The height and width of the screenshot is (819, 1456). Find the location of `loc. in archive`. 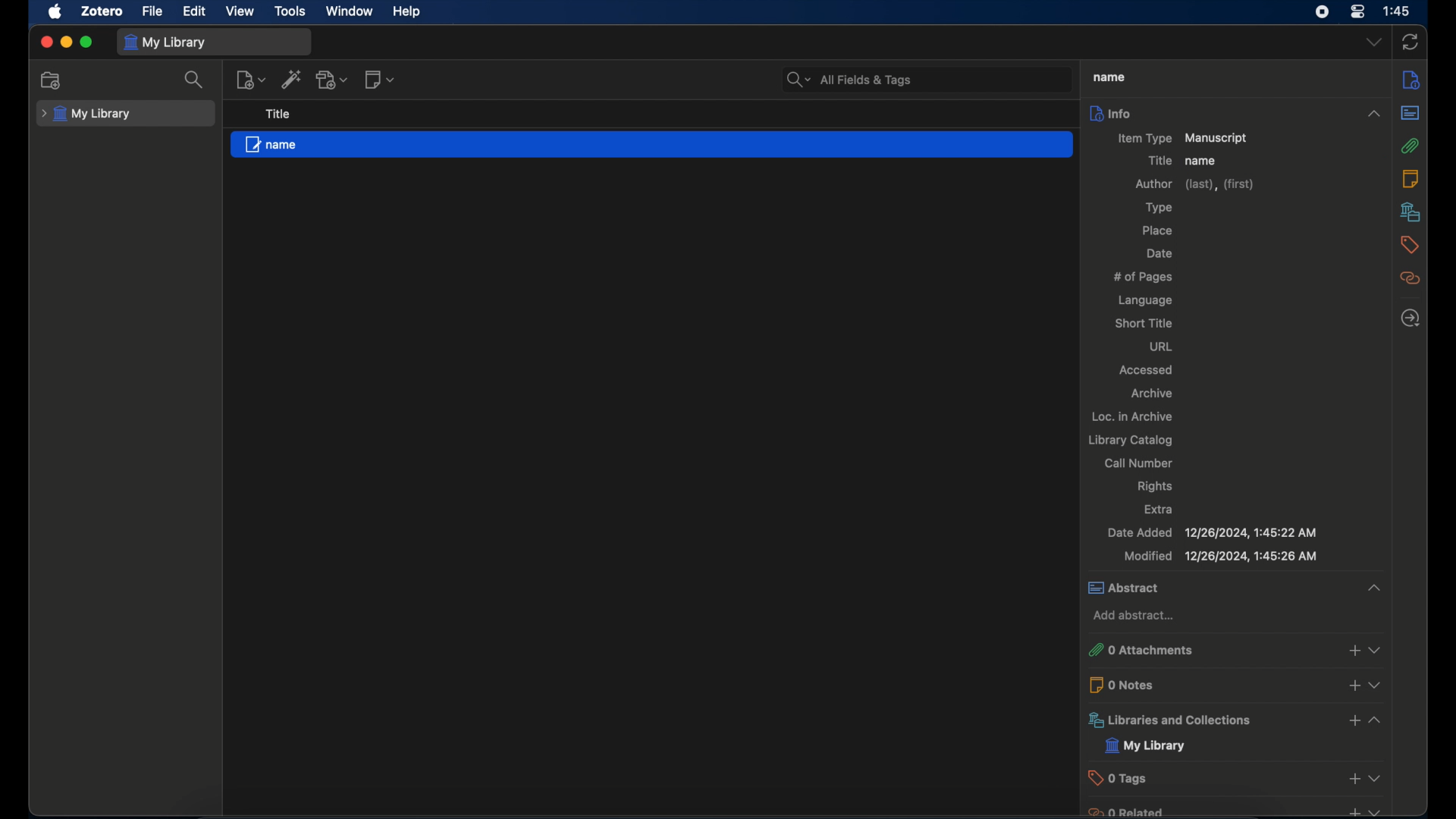

loc. in archive is located at coordinates (1133, 416).